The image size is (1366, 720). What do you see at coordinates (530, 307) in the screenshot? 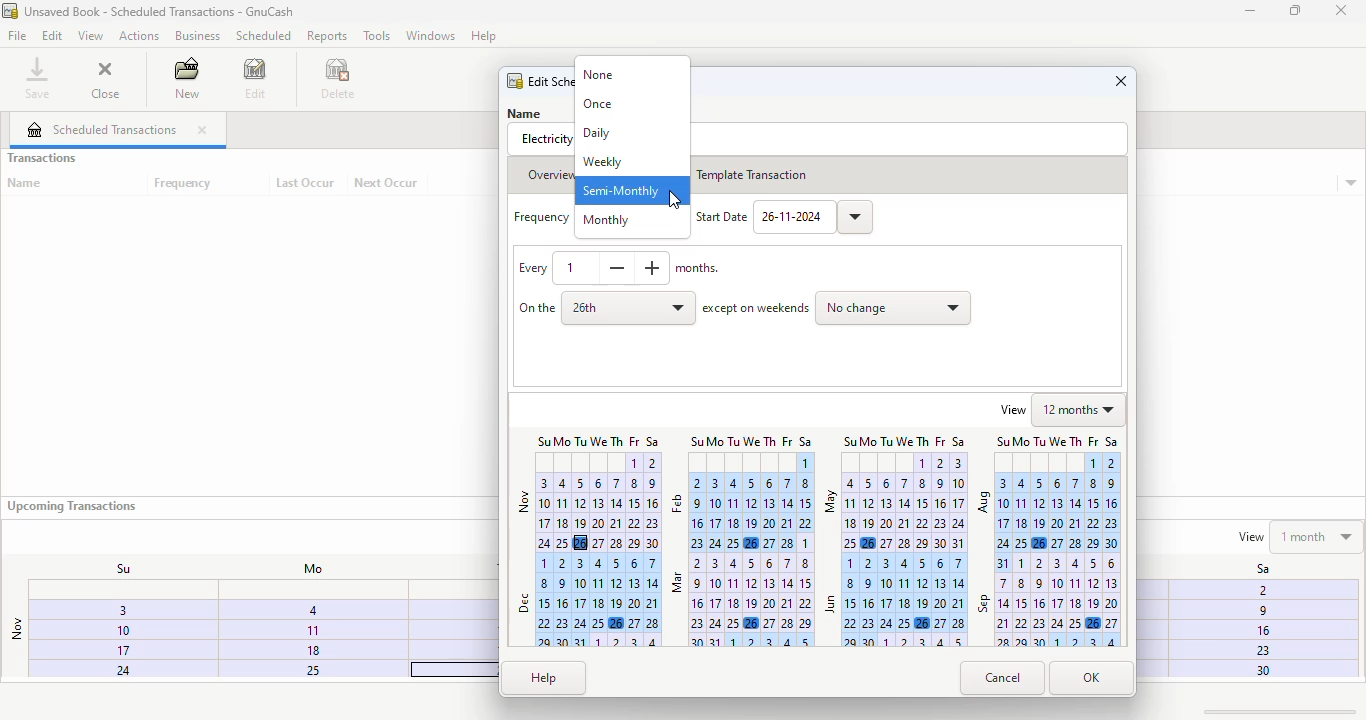
I see `on the` at bounding box center [530, 307].